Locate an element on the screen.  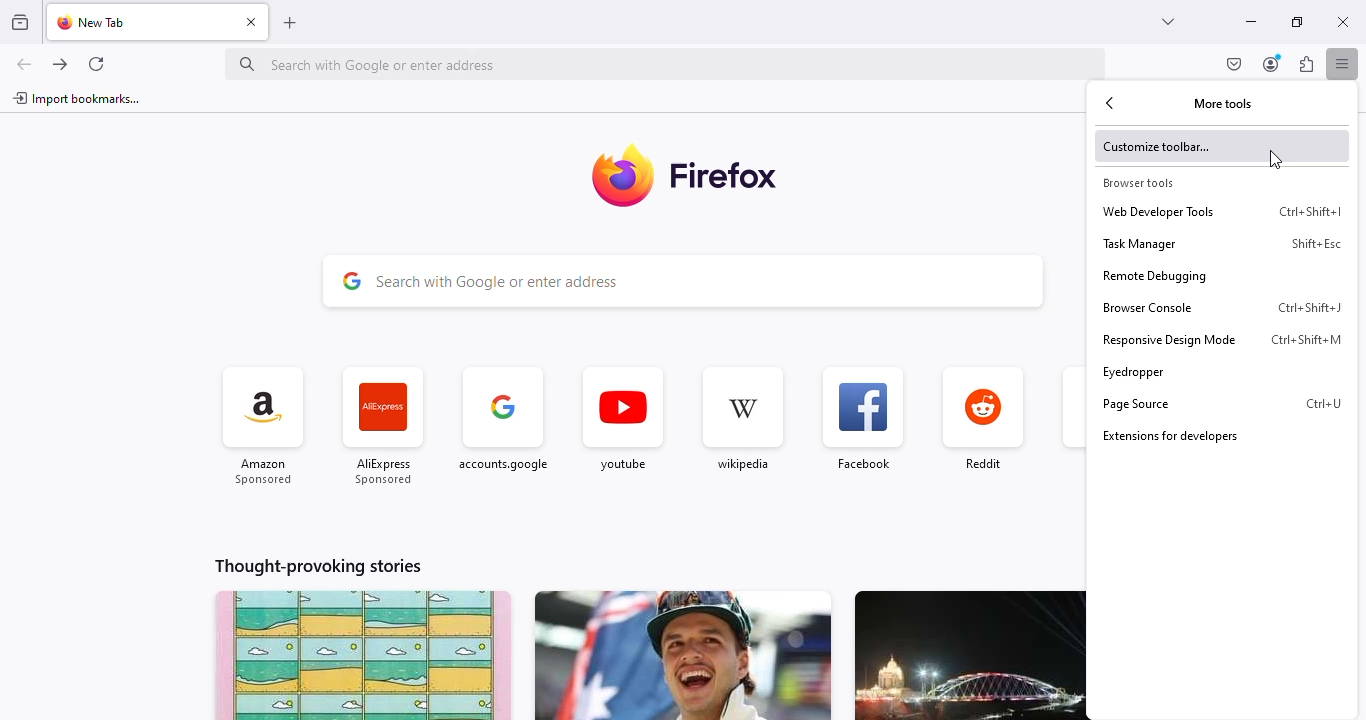
back is located at coordinates (1111, 104).